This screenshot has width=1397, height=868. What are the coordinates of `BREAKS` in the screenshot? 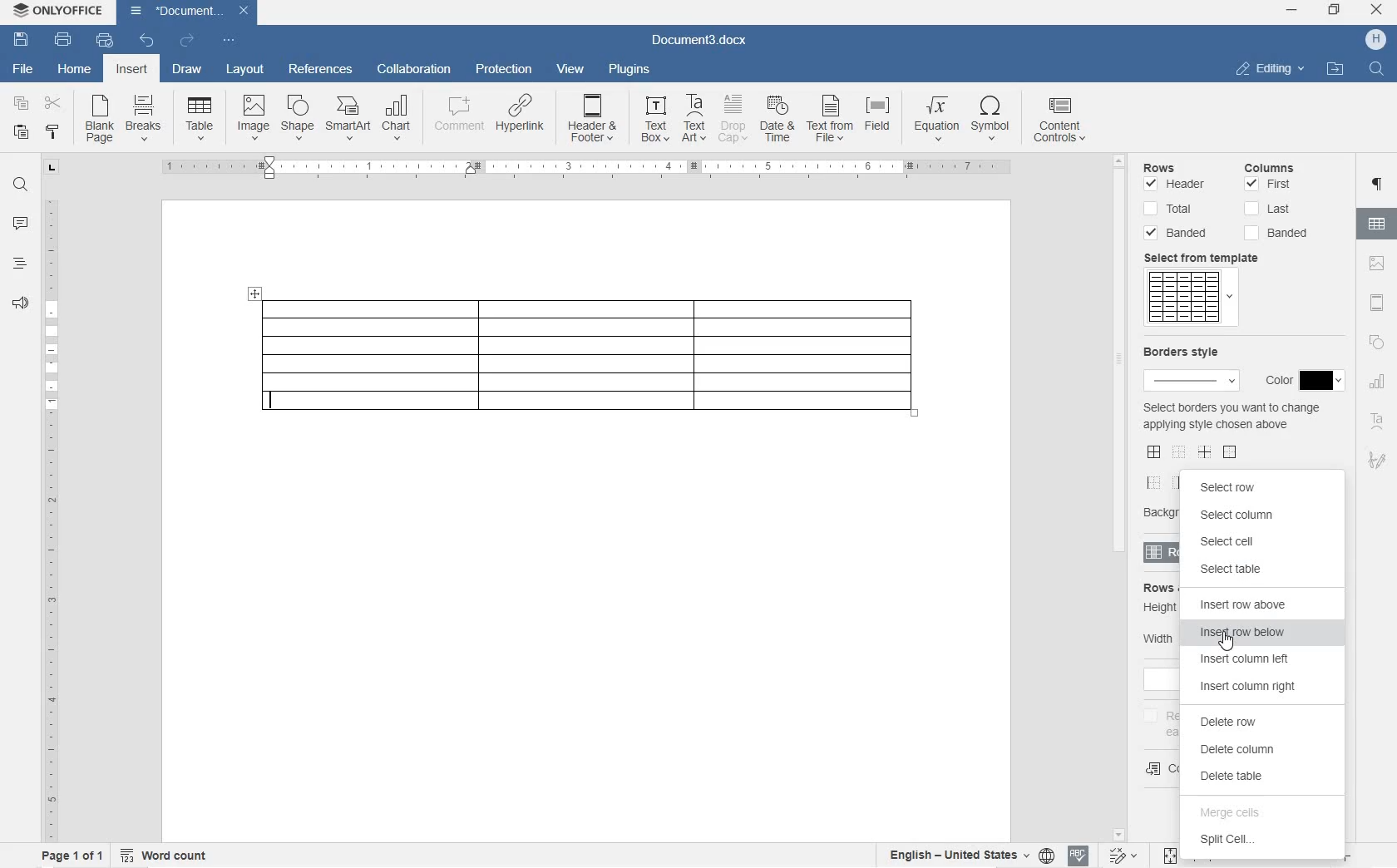 It's located at (146, 119).